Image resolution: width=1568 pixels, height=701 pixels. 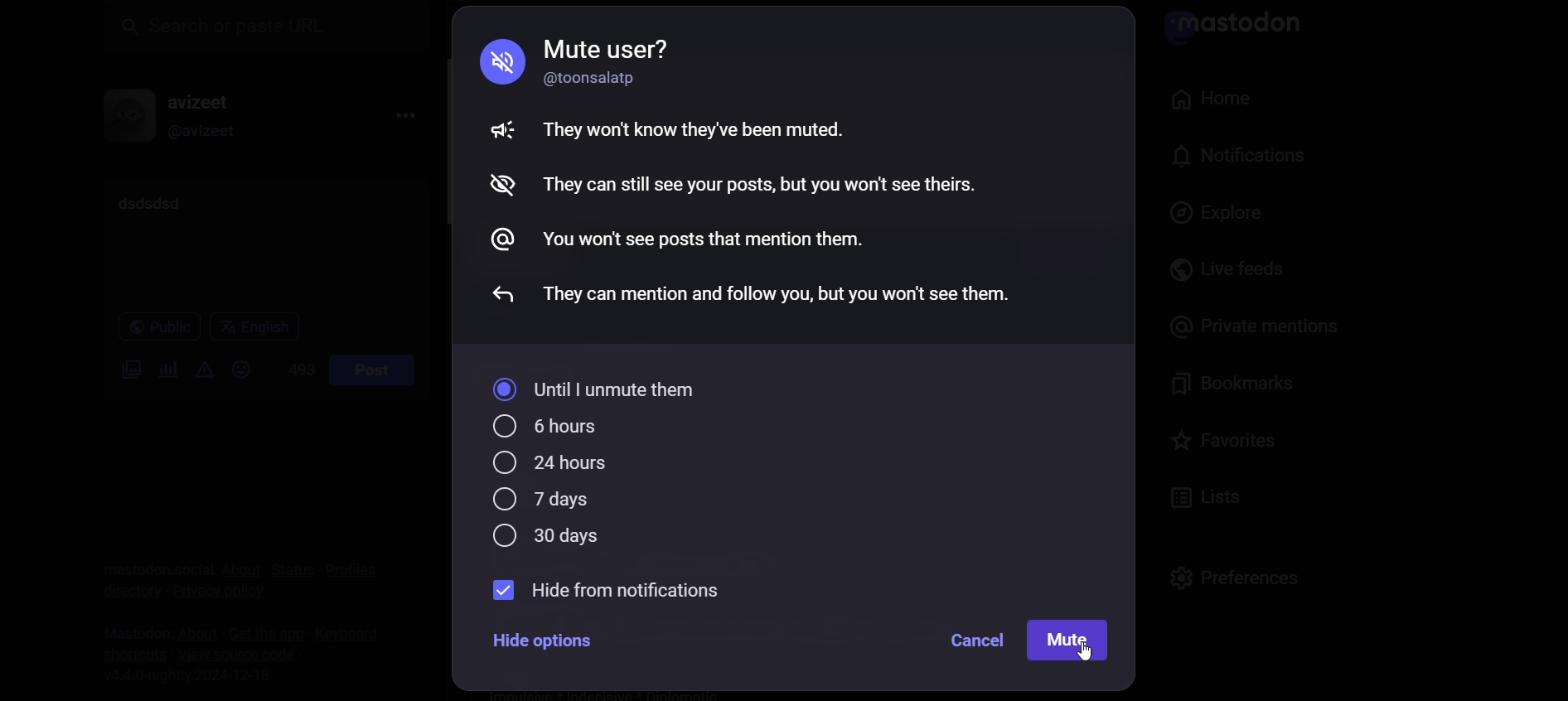 I want to click on , so click(x=610, y=78).